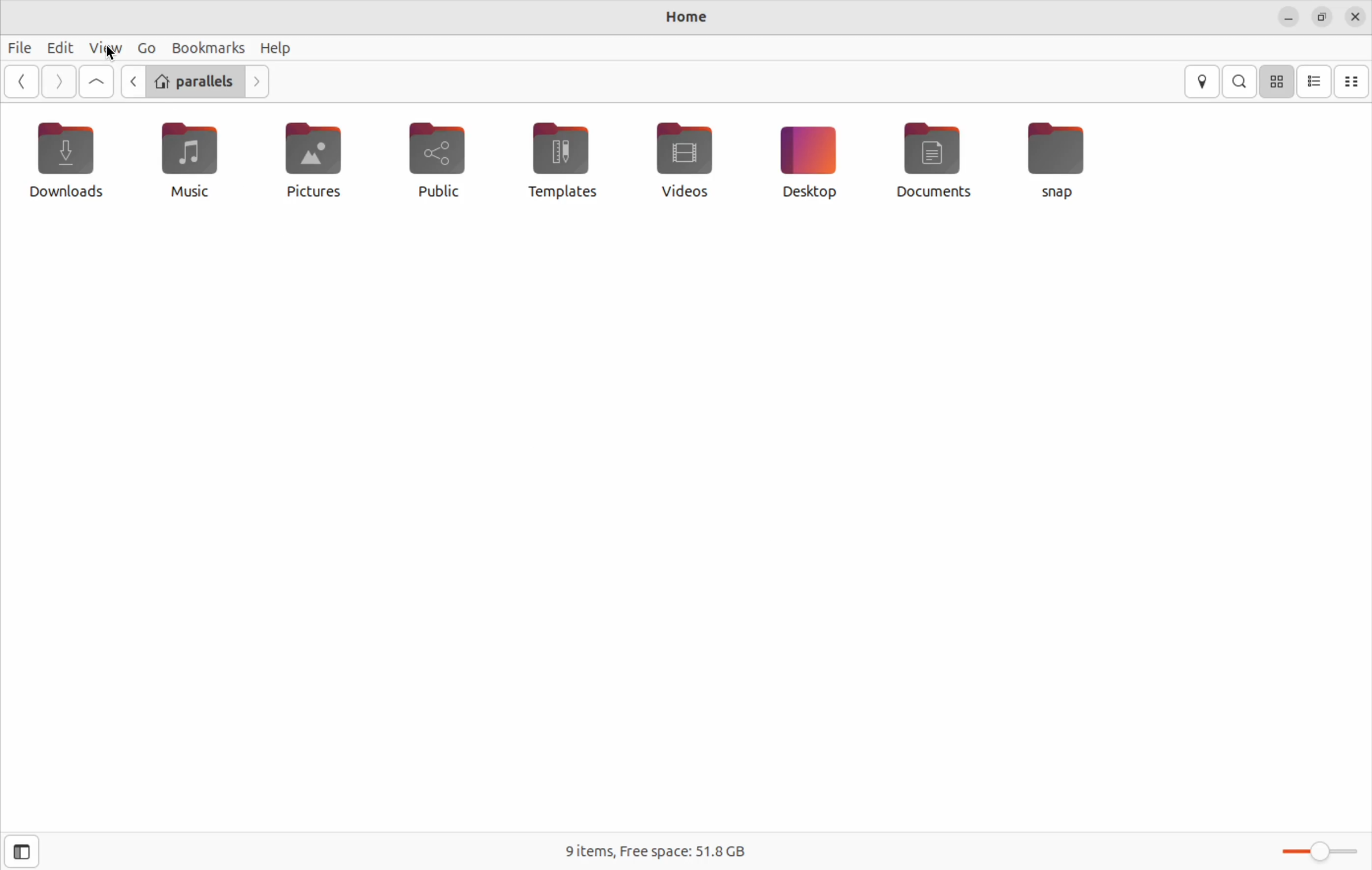 The image size is (1372, 870). Describe the element at coordinates (561, 159) in the screenshot. I see `templates` at that location.